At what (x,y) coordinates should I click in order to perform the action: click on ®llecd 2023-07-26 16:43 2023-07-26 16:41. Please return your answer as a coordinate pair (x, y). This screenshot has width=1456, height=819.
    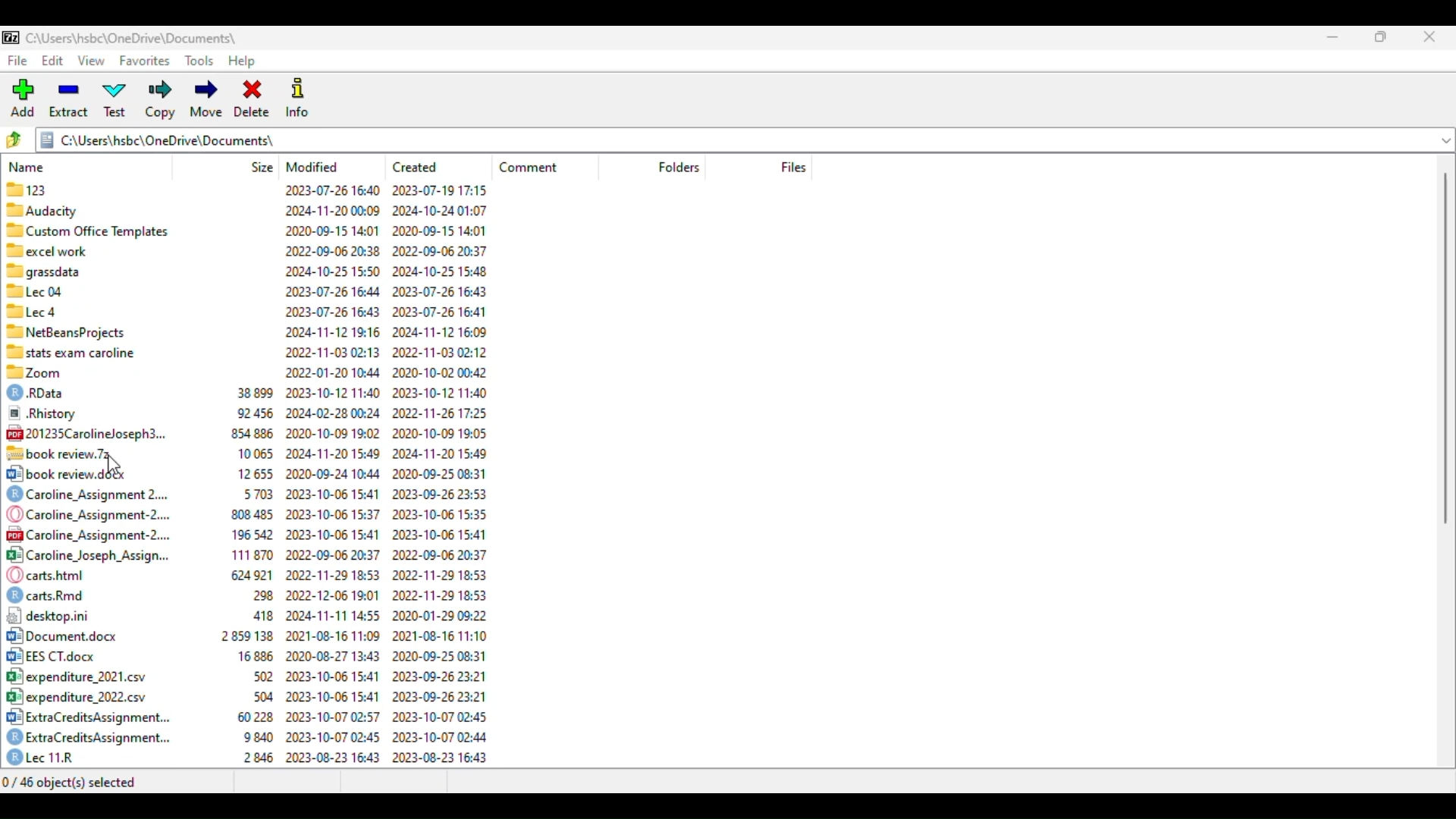
    Looking at the image, I should click on (244, 311).